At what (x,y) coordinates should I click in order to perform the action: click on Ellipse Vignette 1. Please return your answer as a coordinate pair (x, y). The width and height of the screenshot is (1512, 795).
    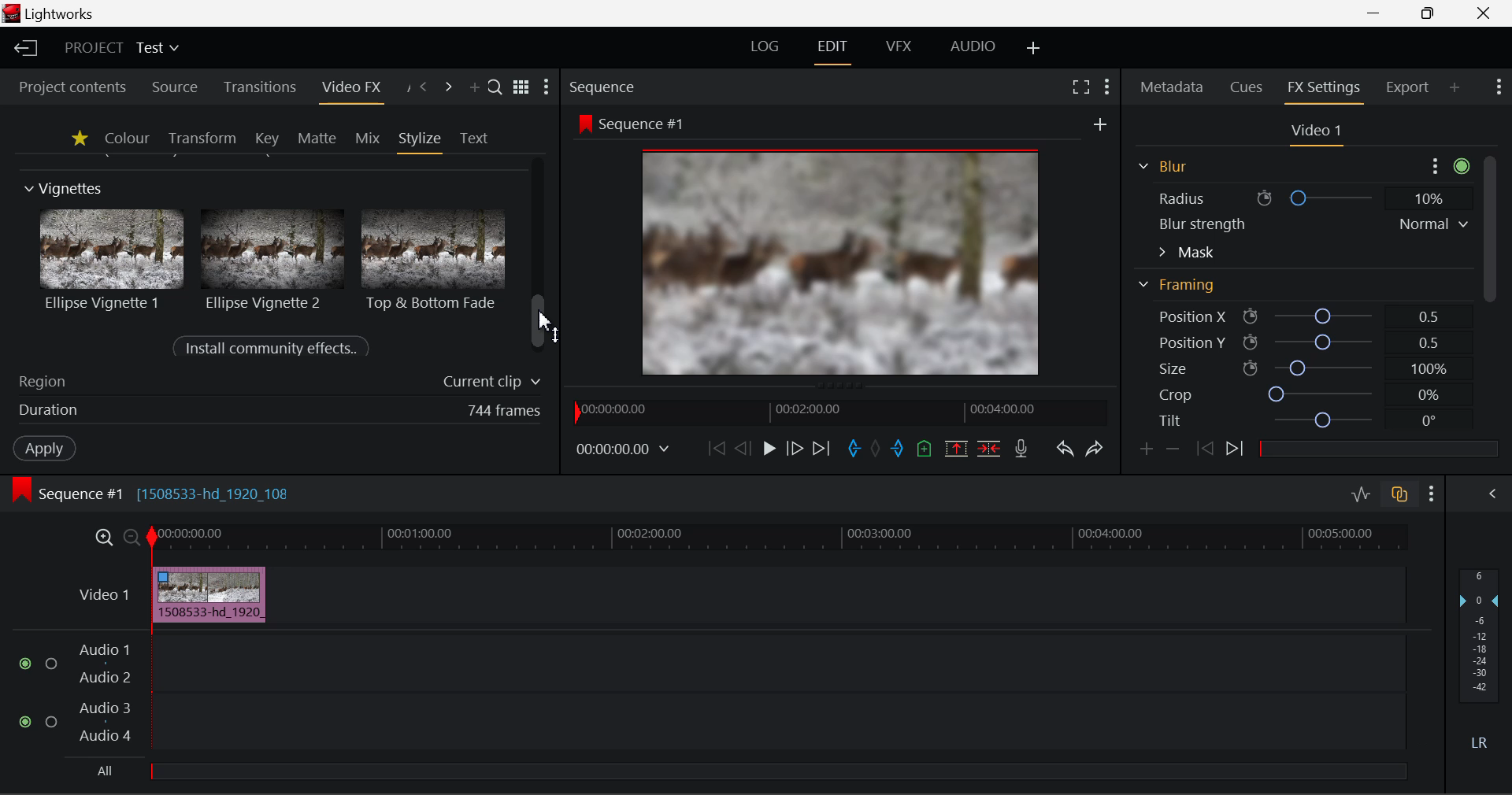
    Looking at the image, I should click on (113, 260).